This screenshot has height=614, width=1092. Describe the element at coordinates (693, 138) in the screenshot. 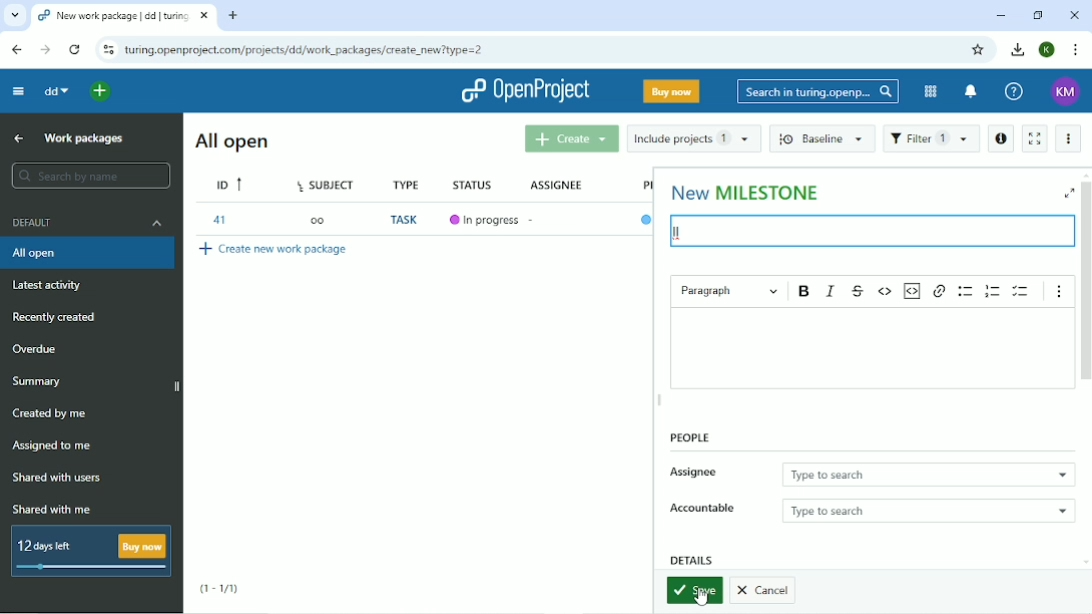

I see `Include projects 1` at that location.